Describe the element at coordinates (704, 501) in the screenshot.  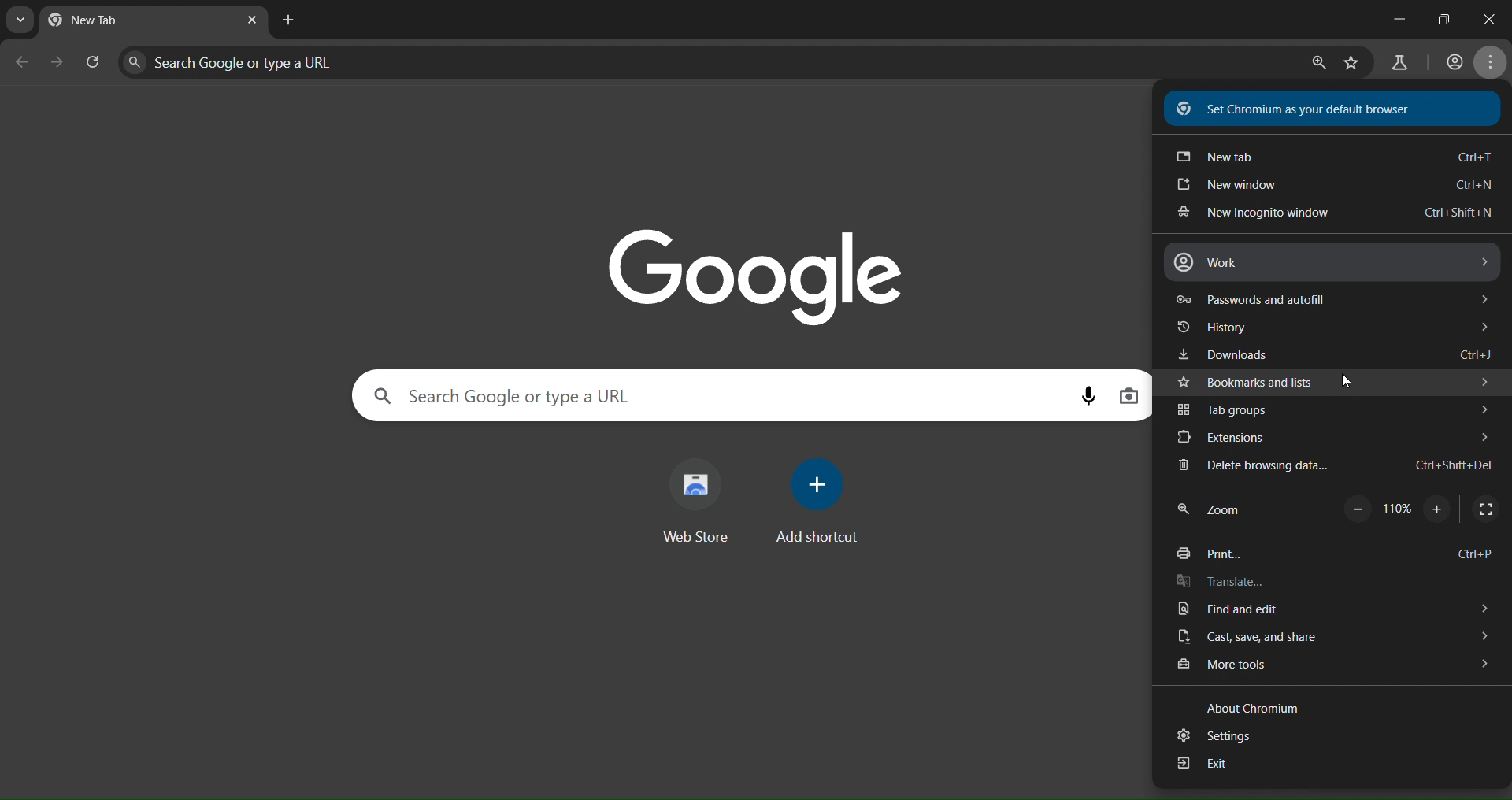
I see `web store` at that location.